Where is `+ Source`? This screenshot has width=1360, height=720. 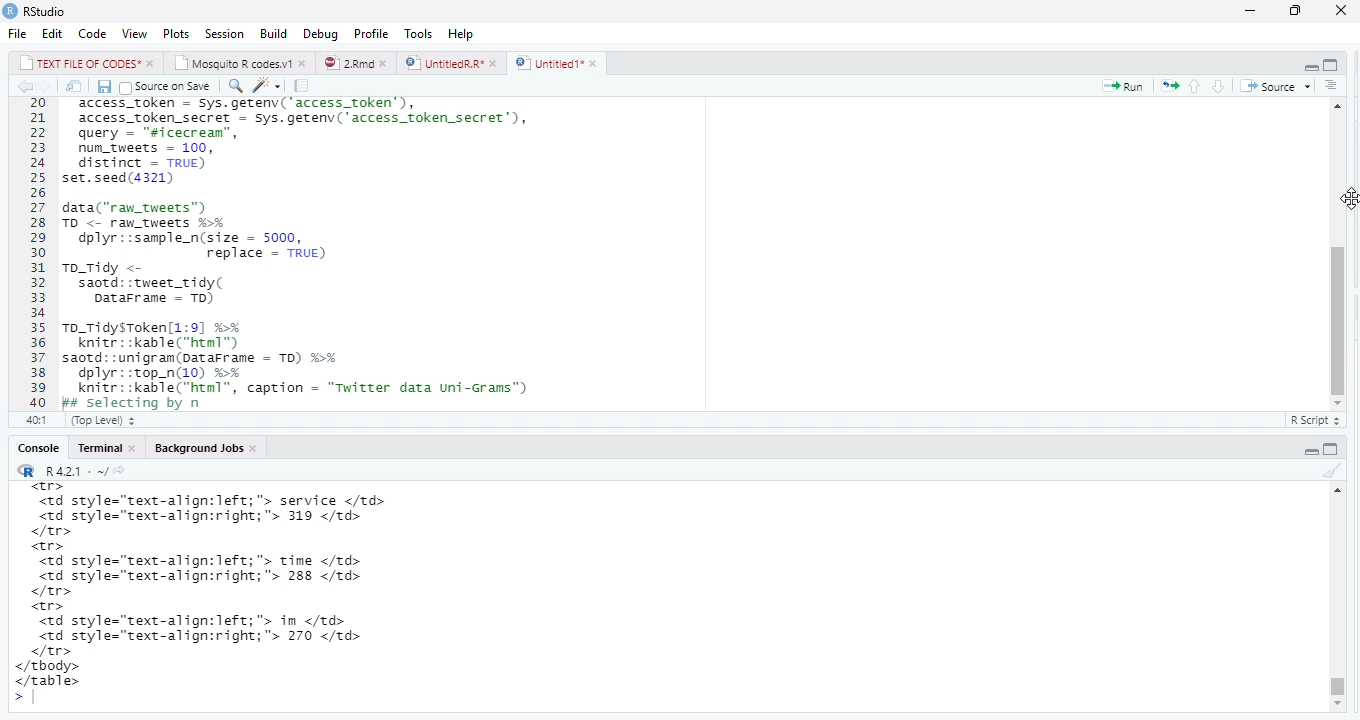 + Source is located at coordinates (1277, 85).